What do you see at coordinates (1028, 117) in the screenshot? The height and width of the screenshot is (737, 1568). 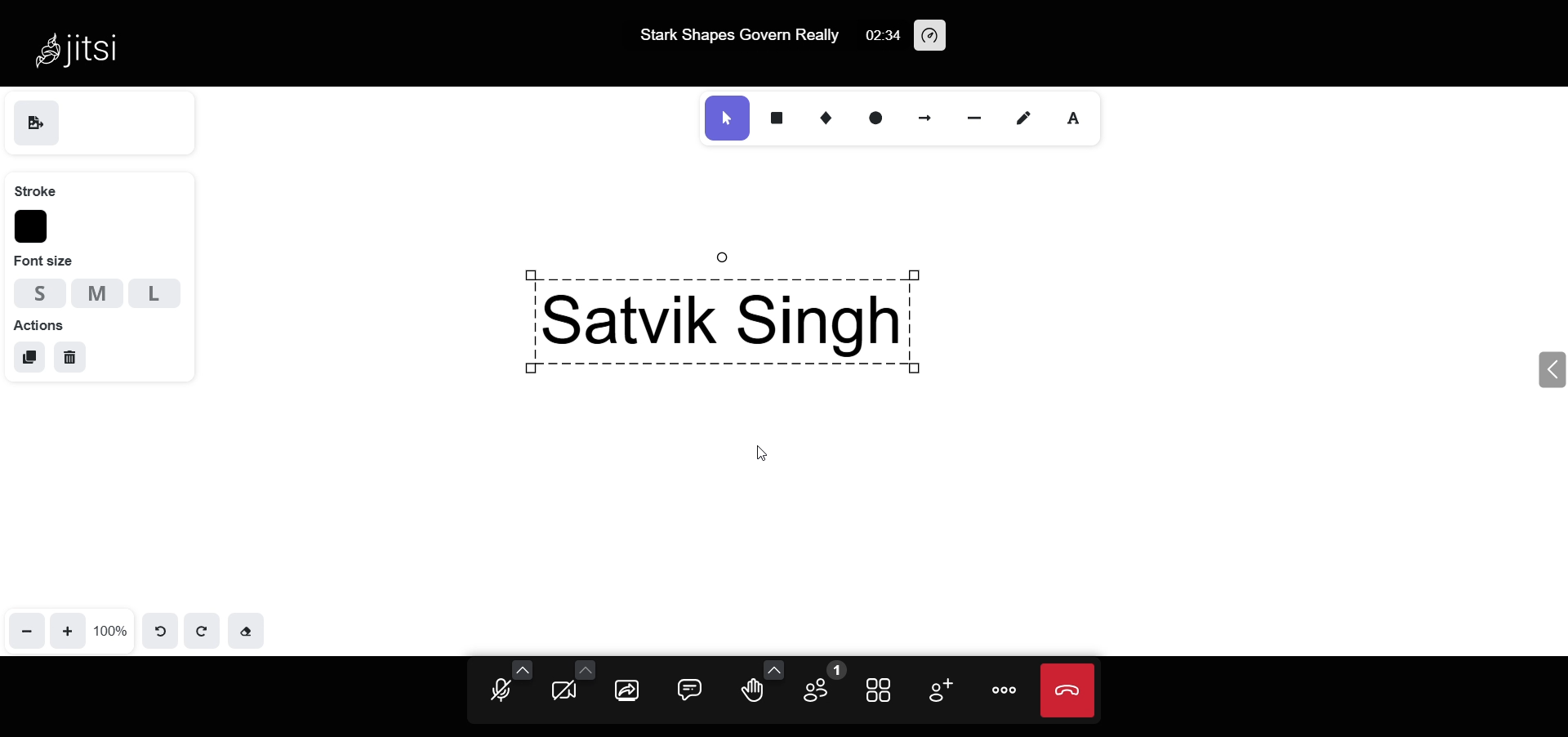 I see `draw` at bounding box center [1028, 117].